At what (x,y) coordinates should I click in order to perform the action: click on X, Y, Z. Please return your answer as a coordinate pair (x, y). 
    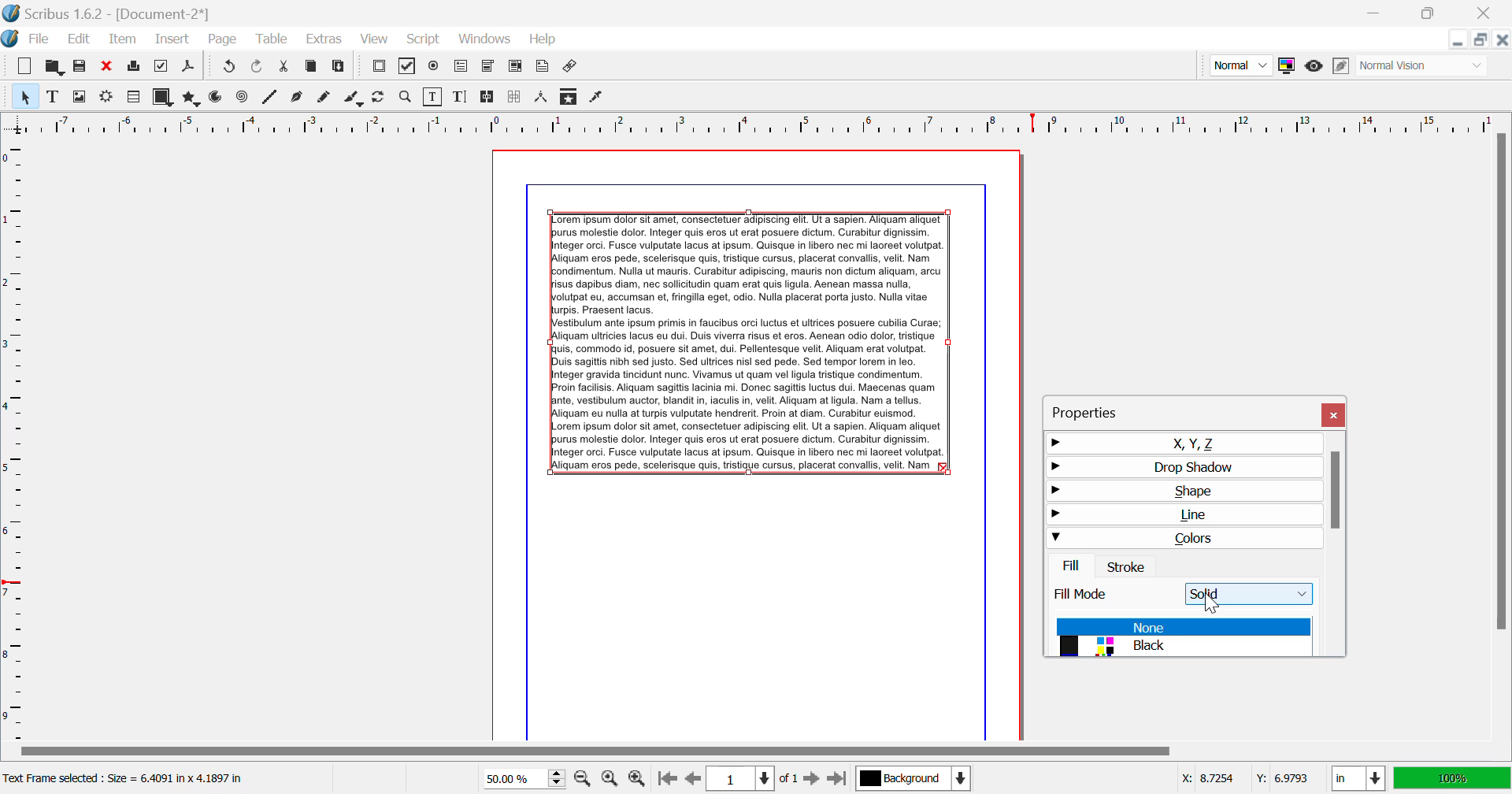
    Looking at the image, I should click on (1182, 443).